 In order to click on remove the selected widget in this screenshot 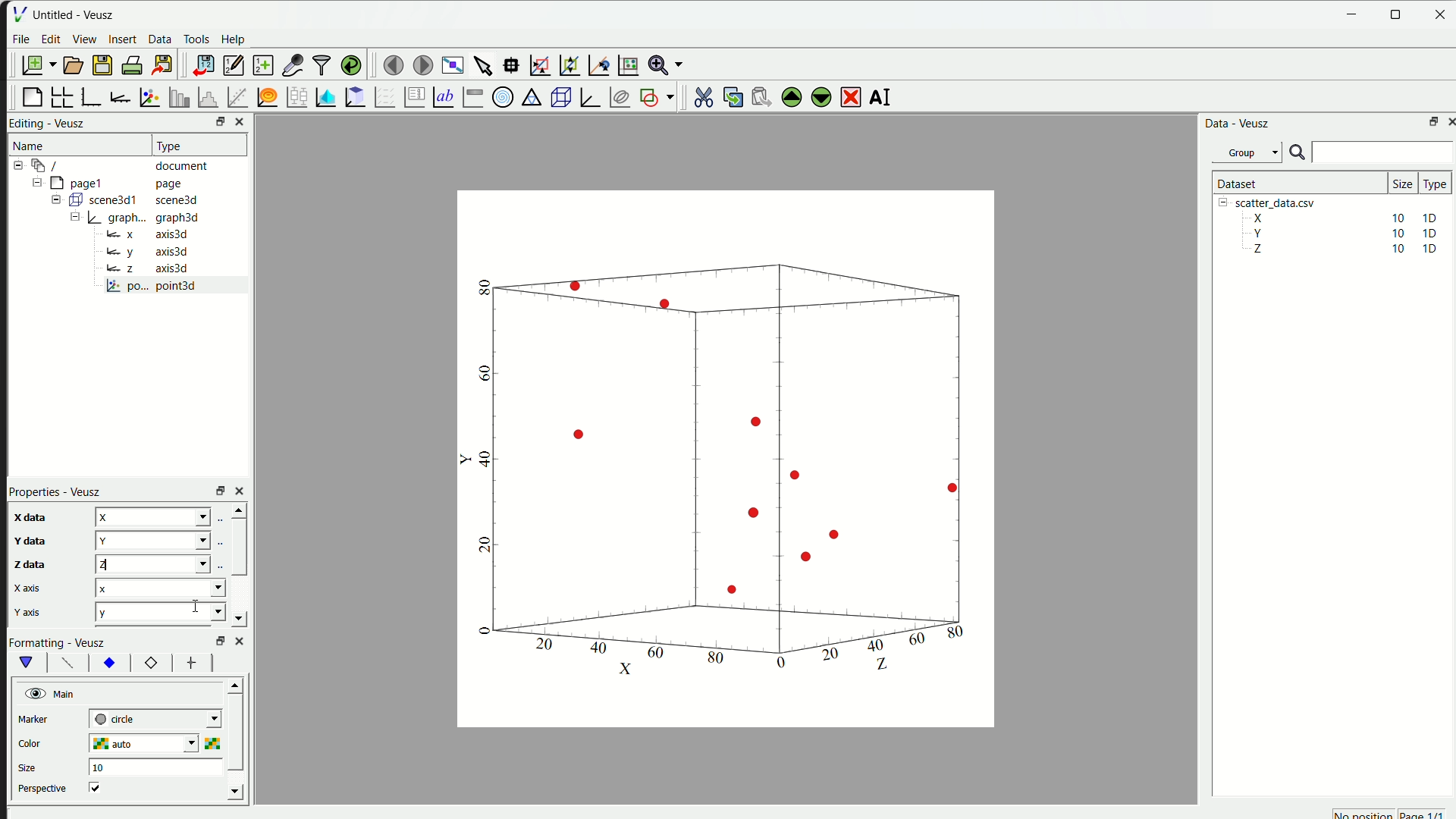, I will do `click(848, 96)`.